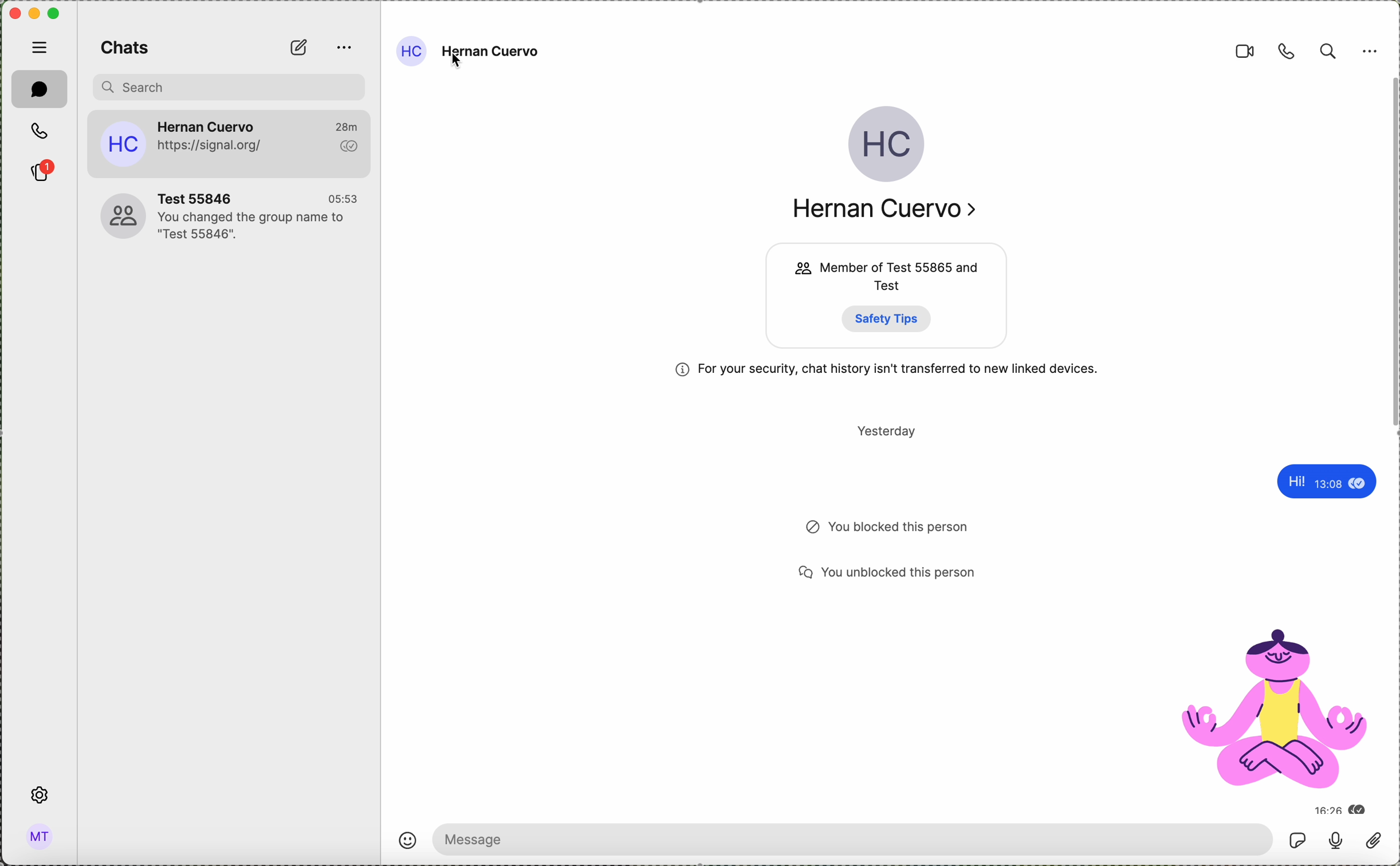 Image resolution: width=1400 pixels, height=866 pixels. What do you see at coordinates (1285, 51) in the screenshot?
I see `call` at bounding box center [1285, 51].